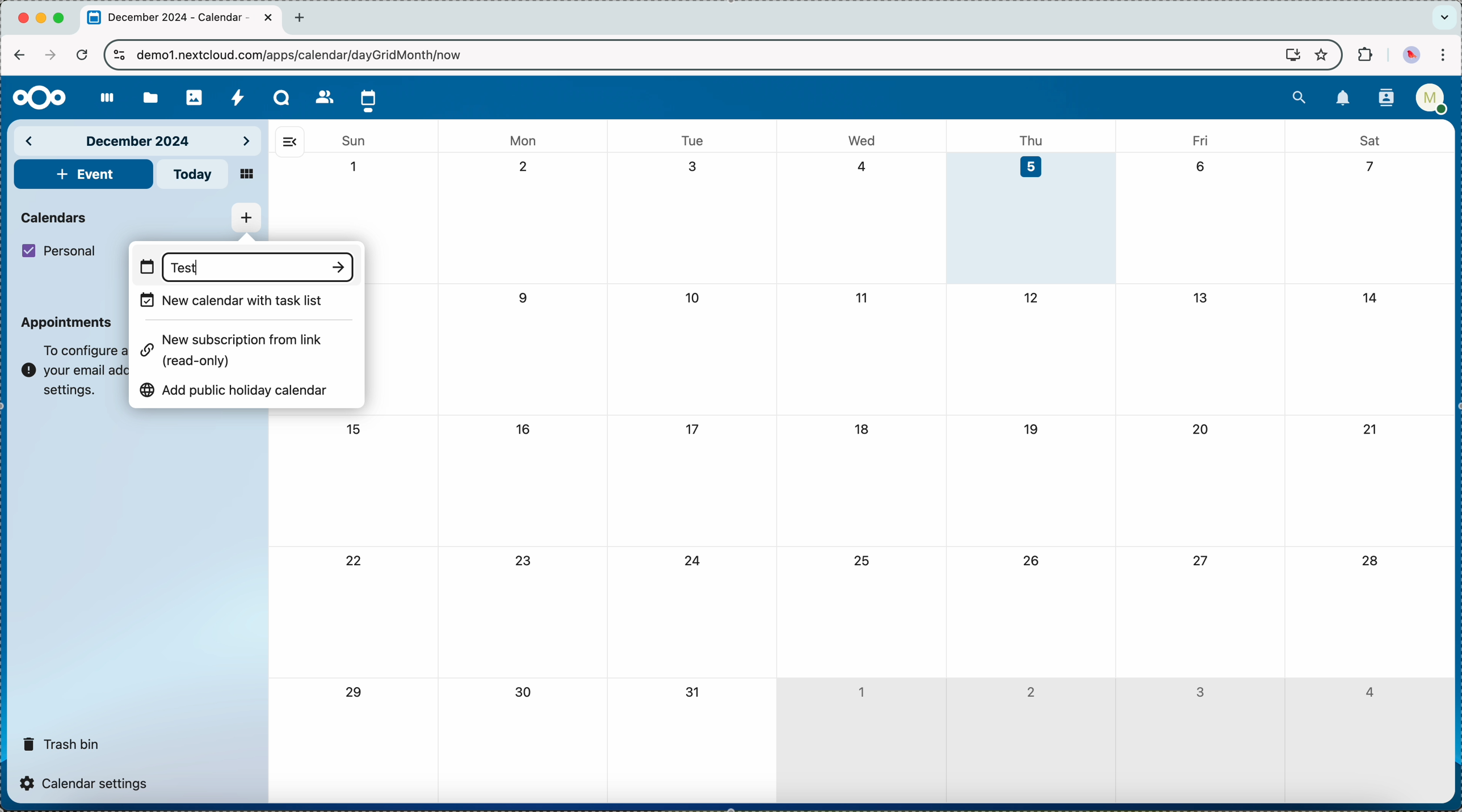 This screenshot has width=1462, height=812. I want to click on typing name, so click(245, 266).